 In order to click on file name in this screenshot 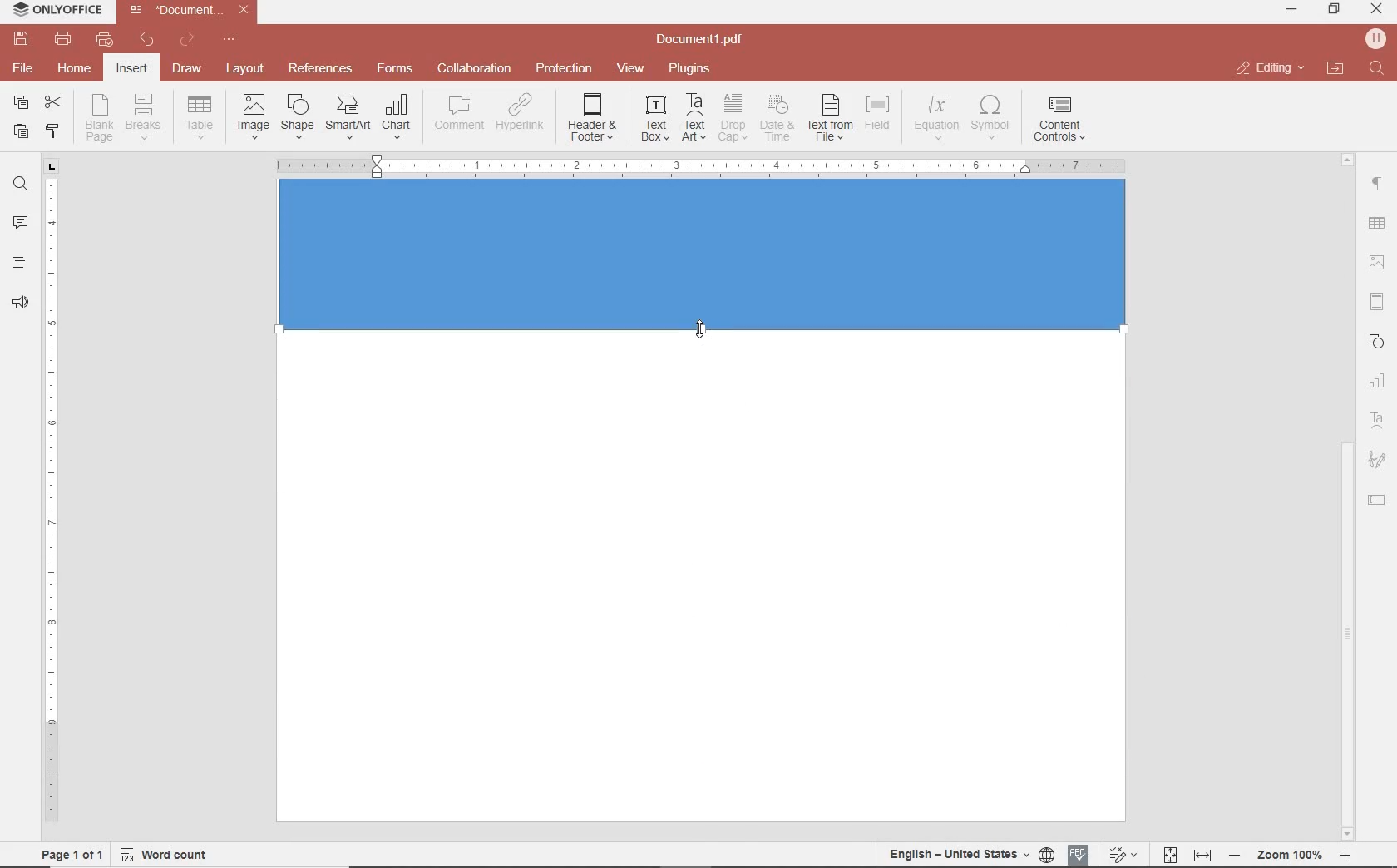, I will do `click(704, 40)`.